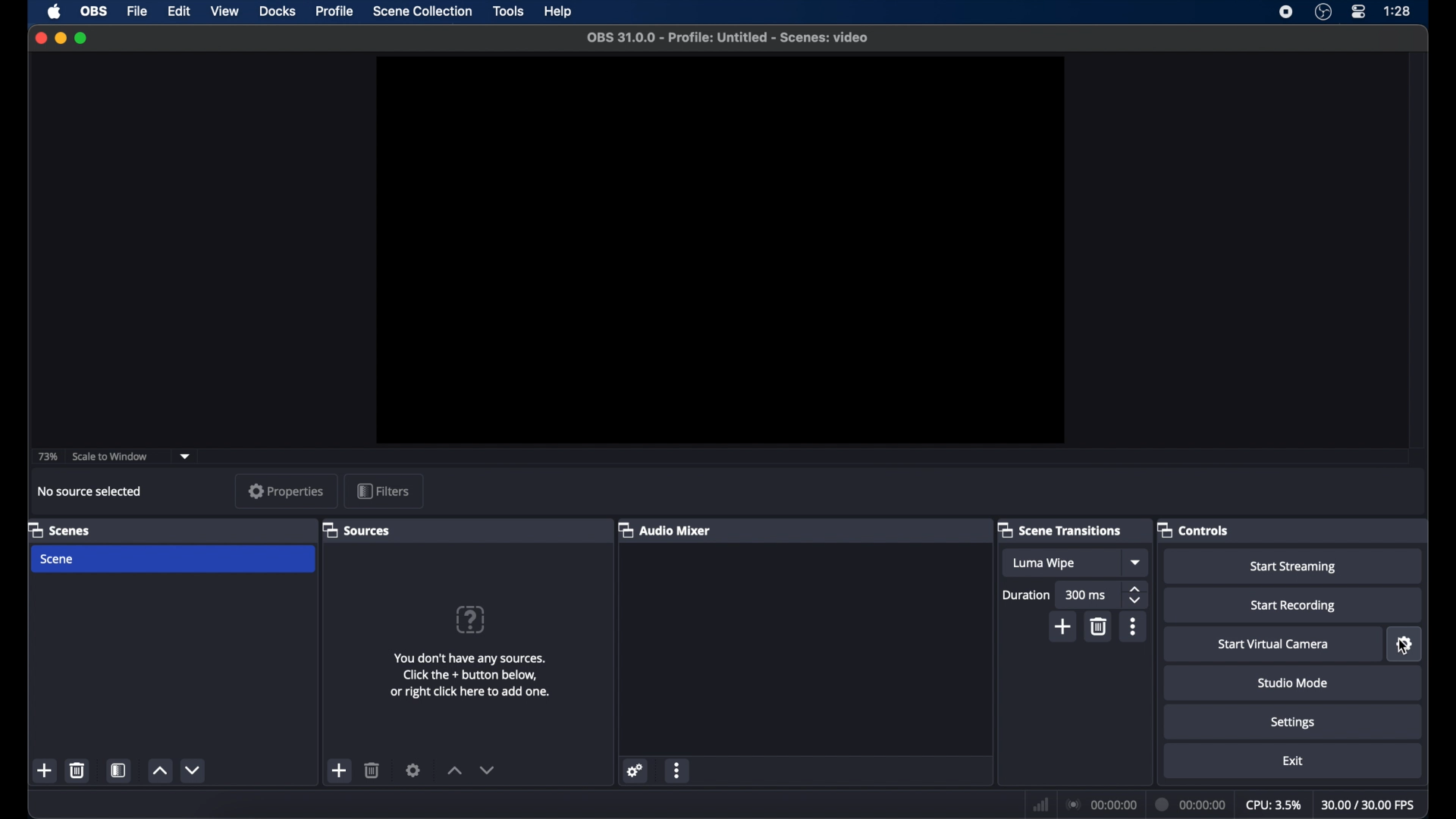 The width and height of the screenshot is (1456, 819). I want to click on decrement, so click(488, 772).